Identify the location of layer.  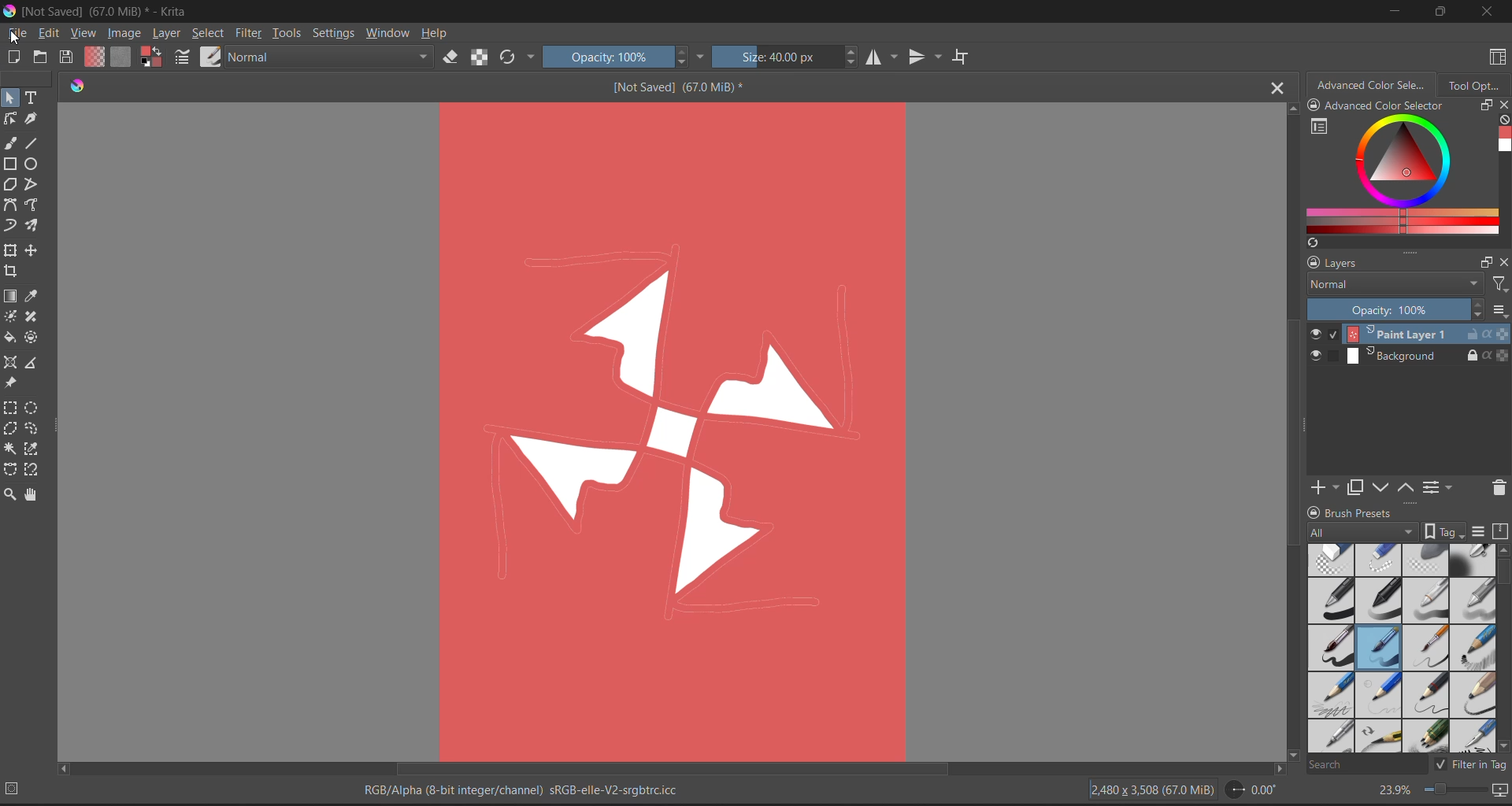
(169, 35).